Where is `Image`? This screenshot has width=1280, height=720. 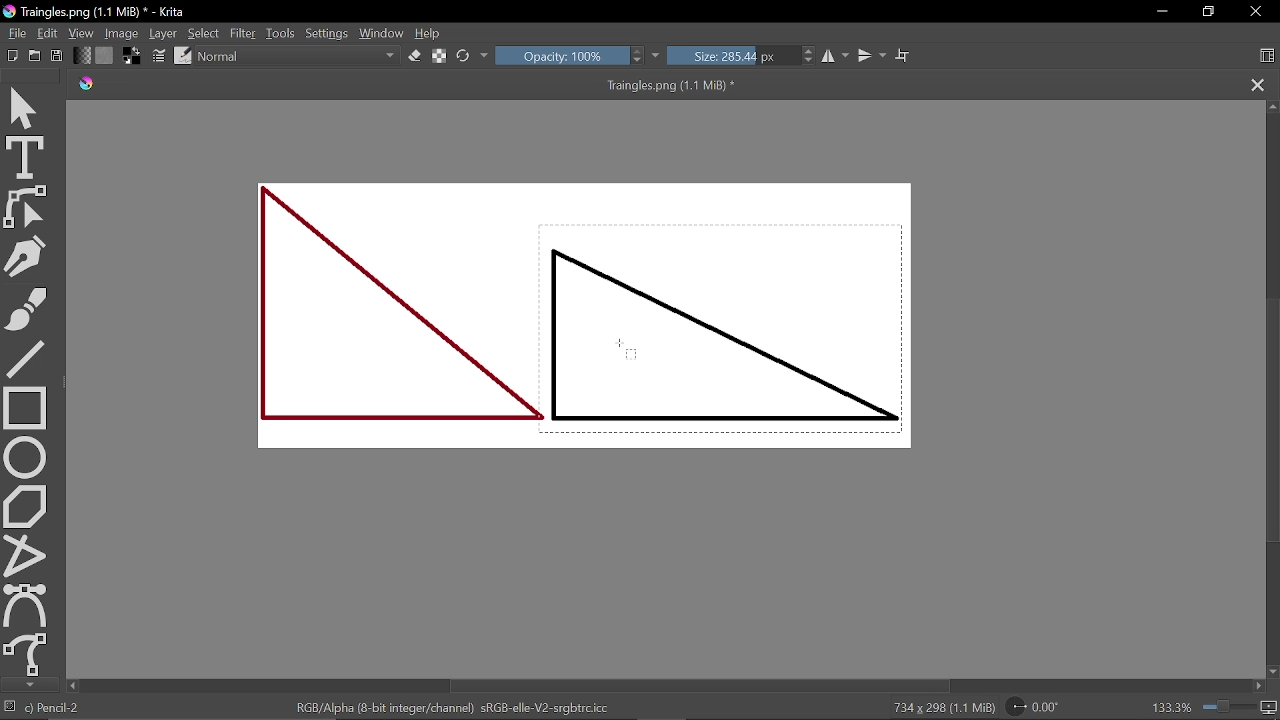 Image is located at coordinates (122, 33).